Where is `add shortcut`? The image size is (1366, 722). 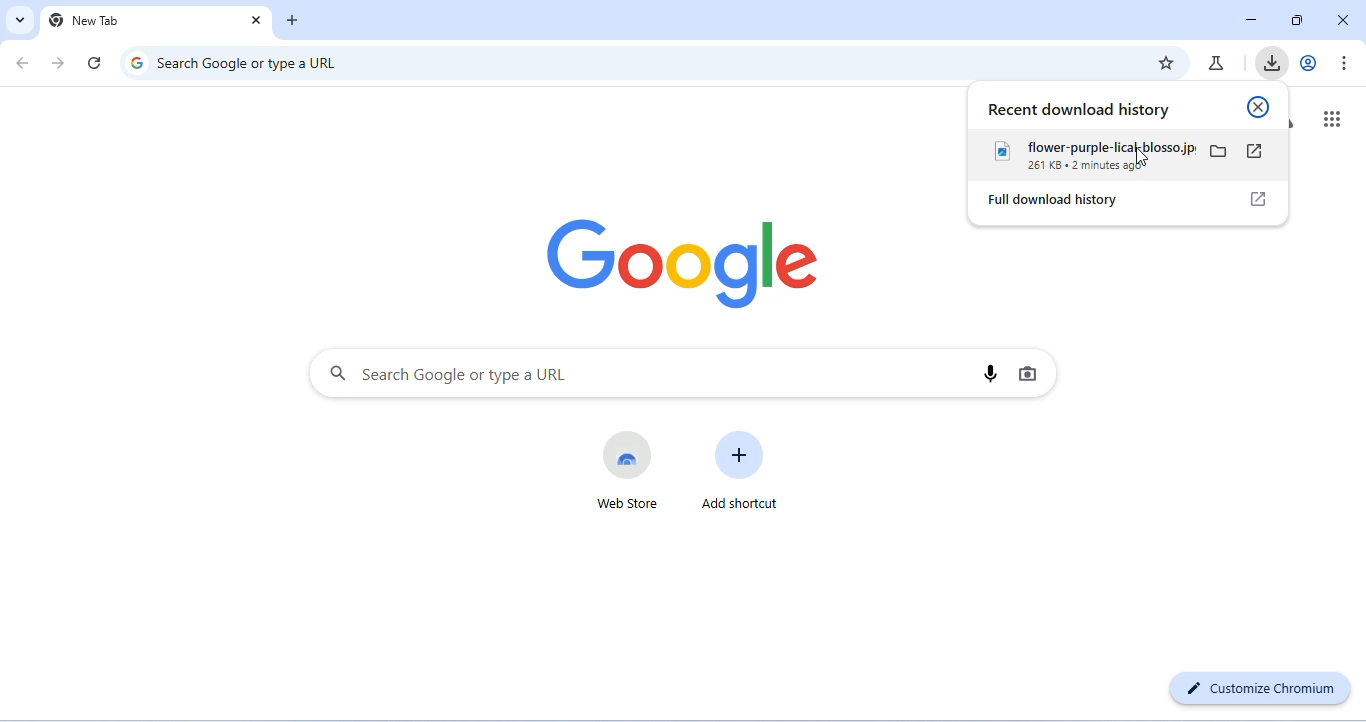 add shortcut is located at coordinates (746, 475).